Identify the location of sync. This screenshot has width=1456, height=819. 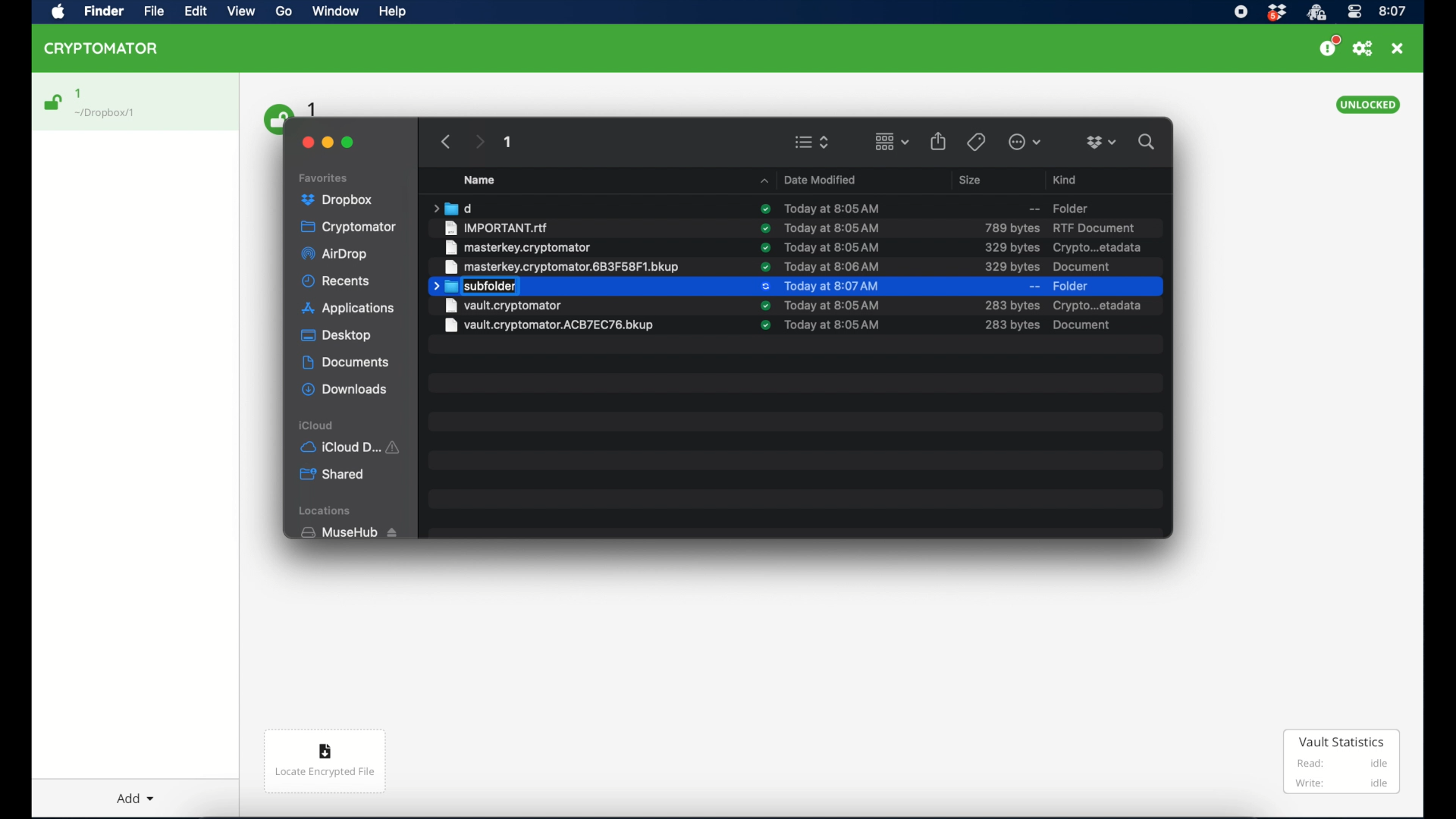
(764, 210).